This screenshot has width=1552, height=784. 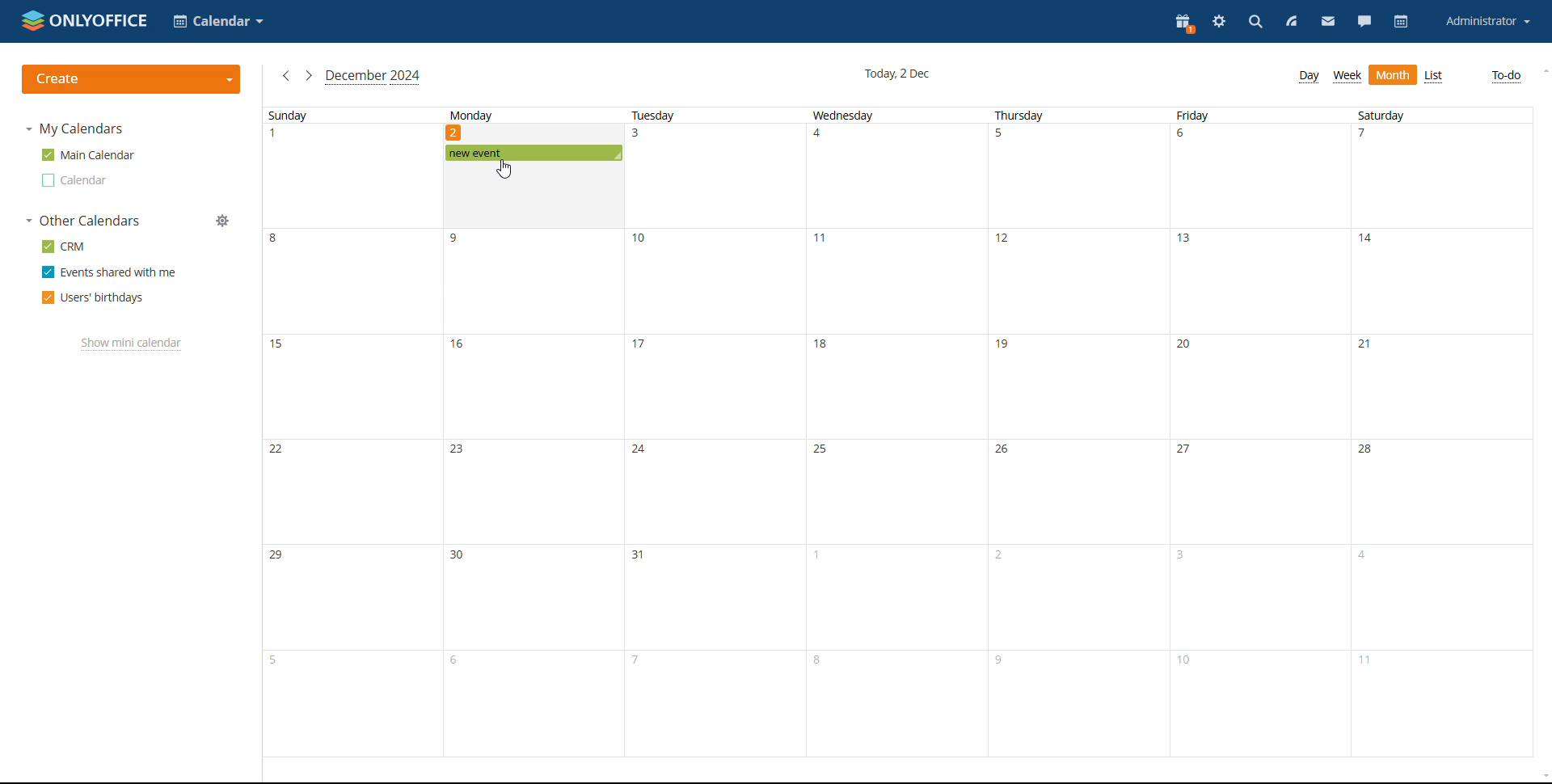 I want to click on tuesday, so click(x=715, y=431).